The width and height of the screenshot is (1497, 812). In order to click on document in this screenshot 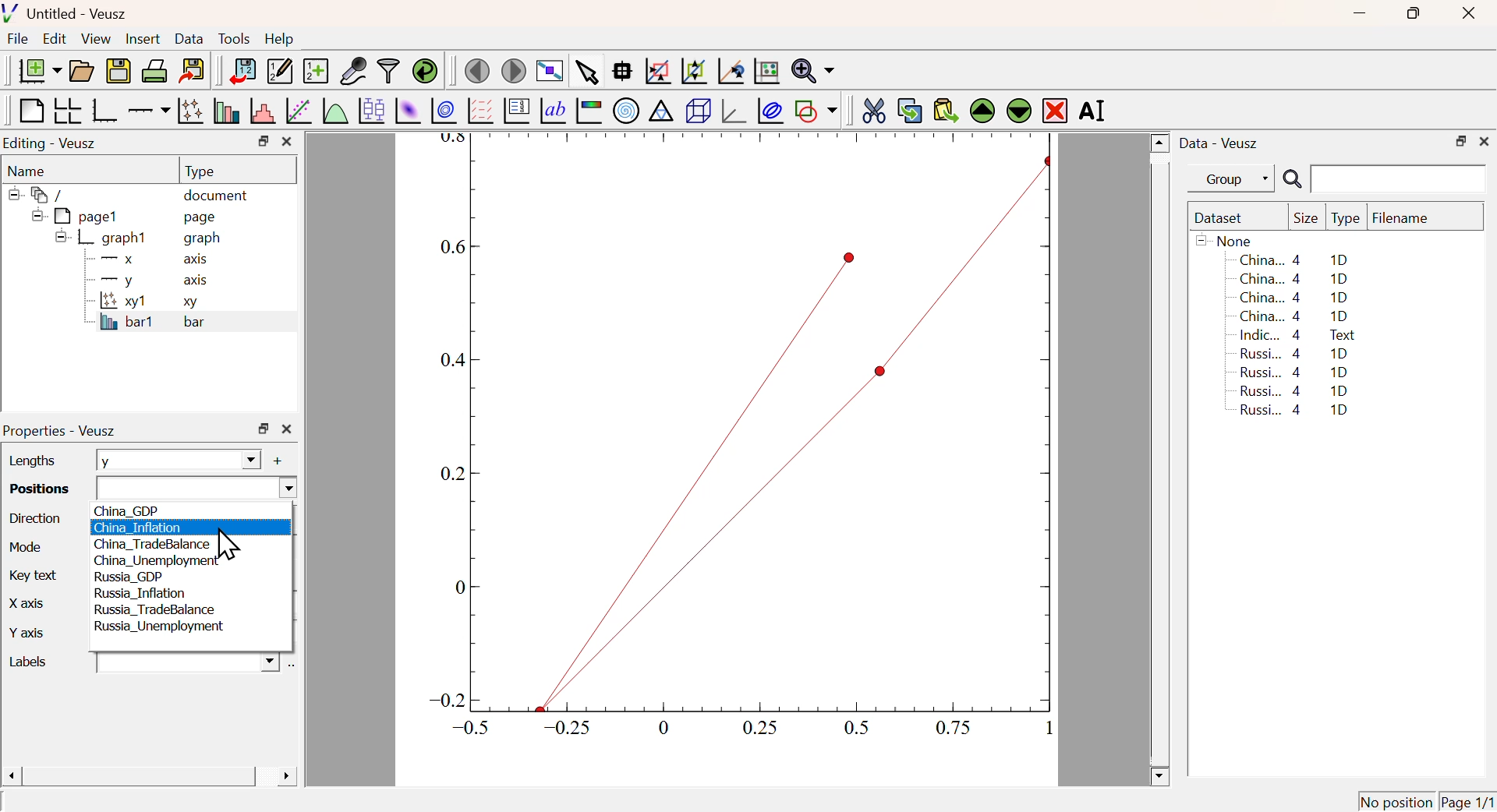, I will do `click(217, 197)`.